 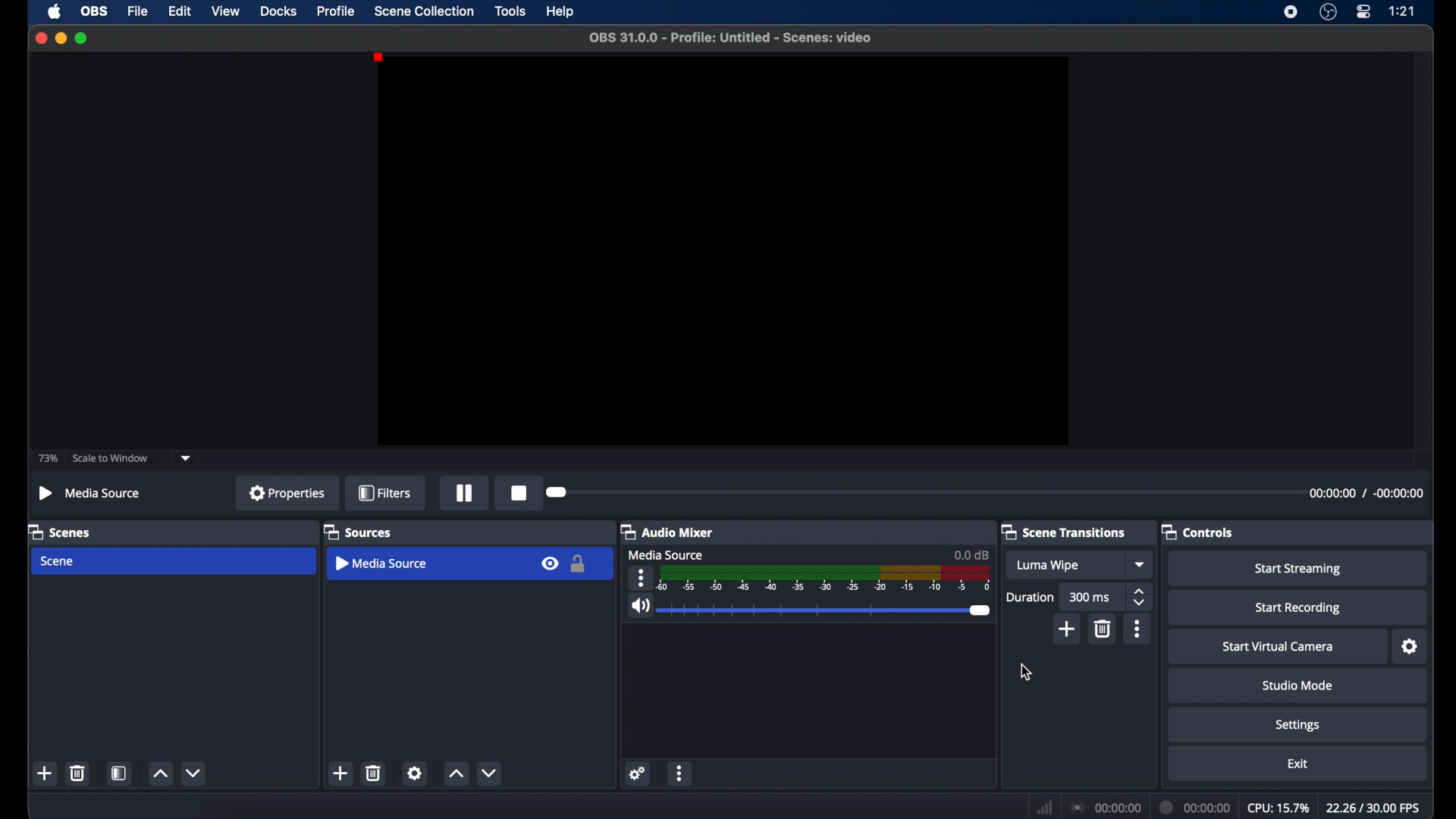 I want to click on tools, so click(x=510, y=11).